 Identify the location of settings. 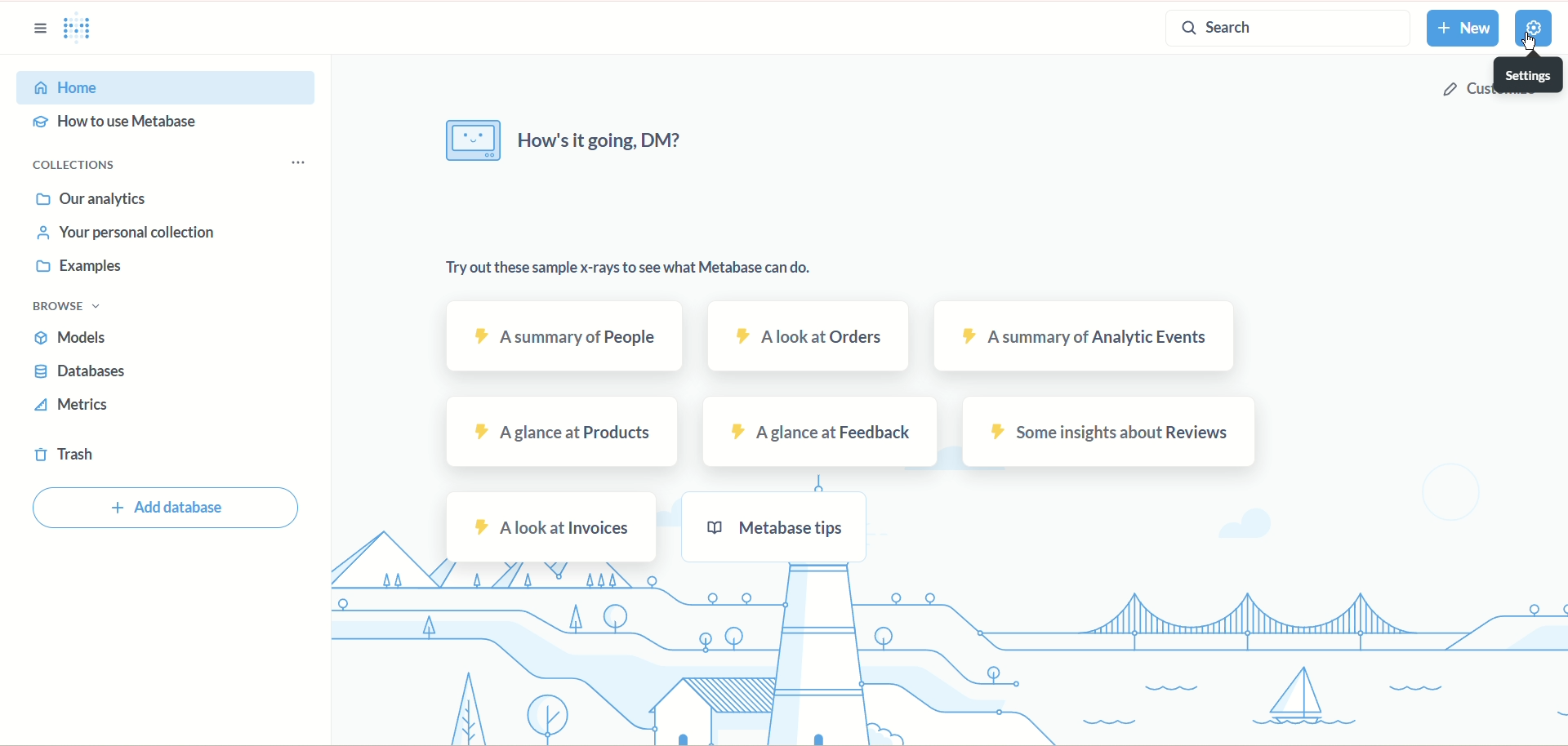
(1530, 29).